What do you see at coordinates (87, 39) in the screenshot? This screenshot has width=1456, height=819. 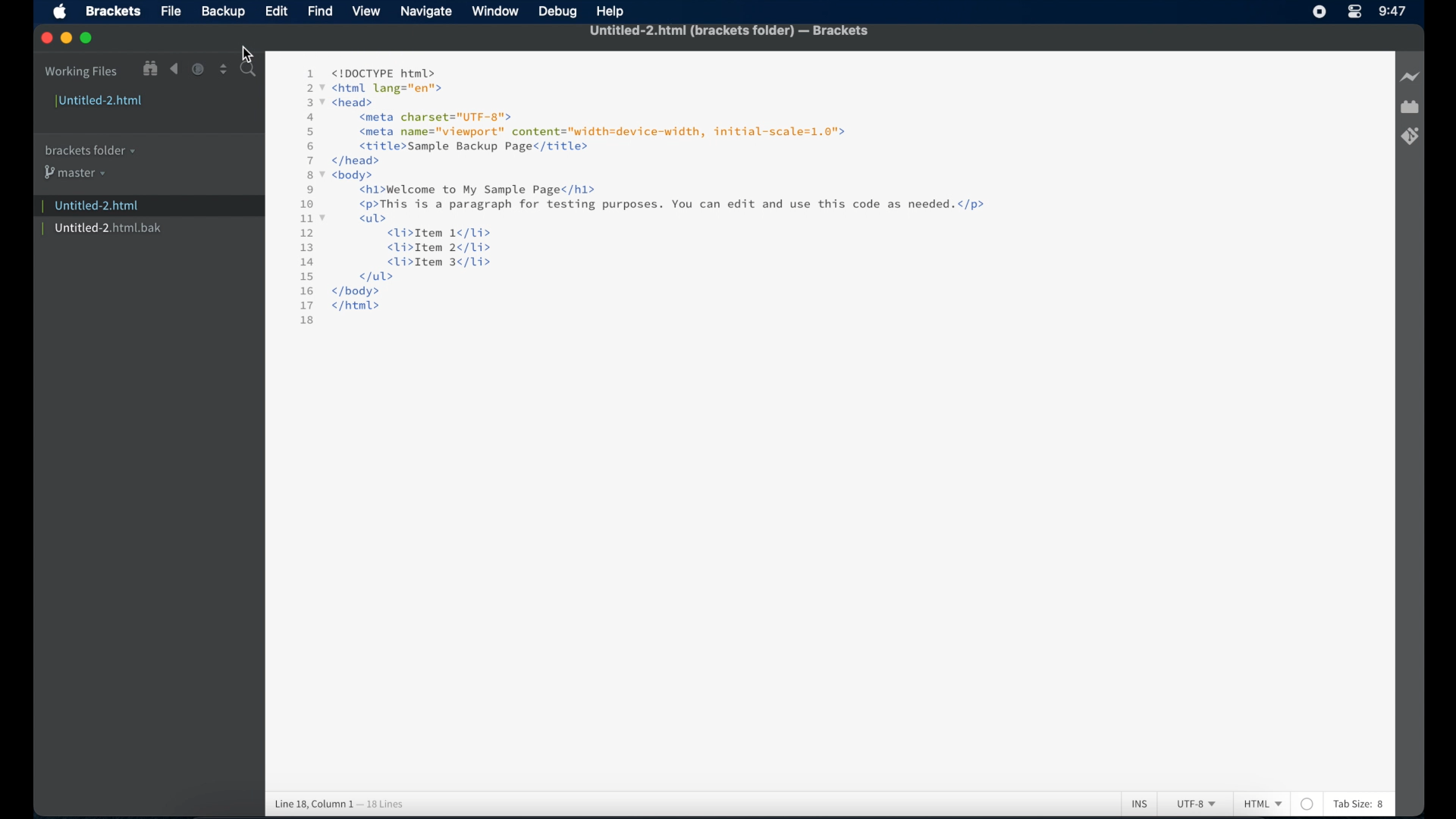 I see `maximize` at bounding box center [87, 39].